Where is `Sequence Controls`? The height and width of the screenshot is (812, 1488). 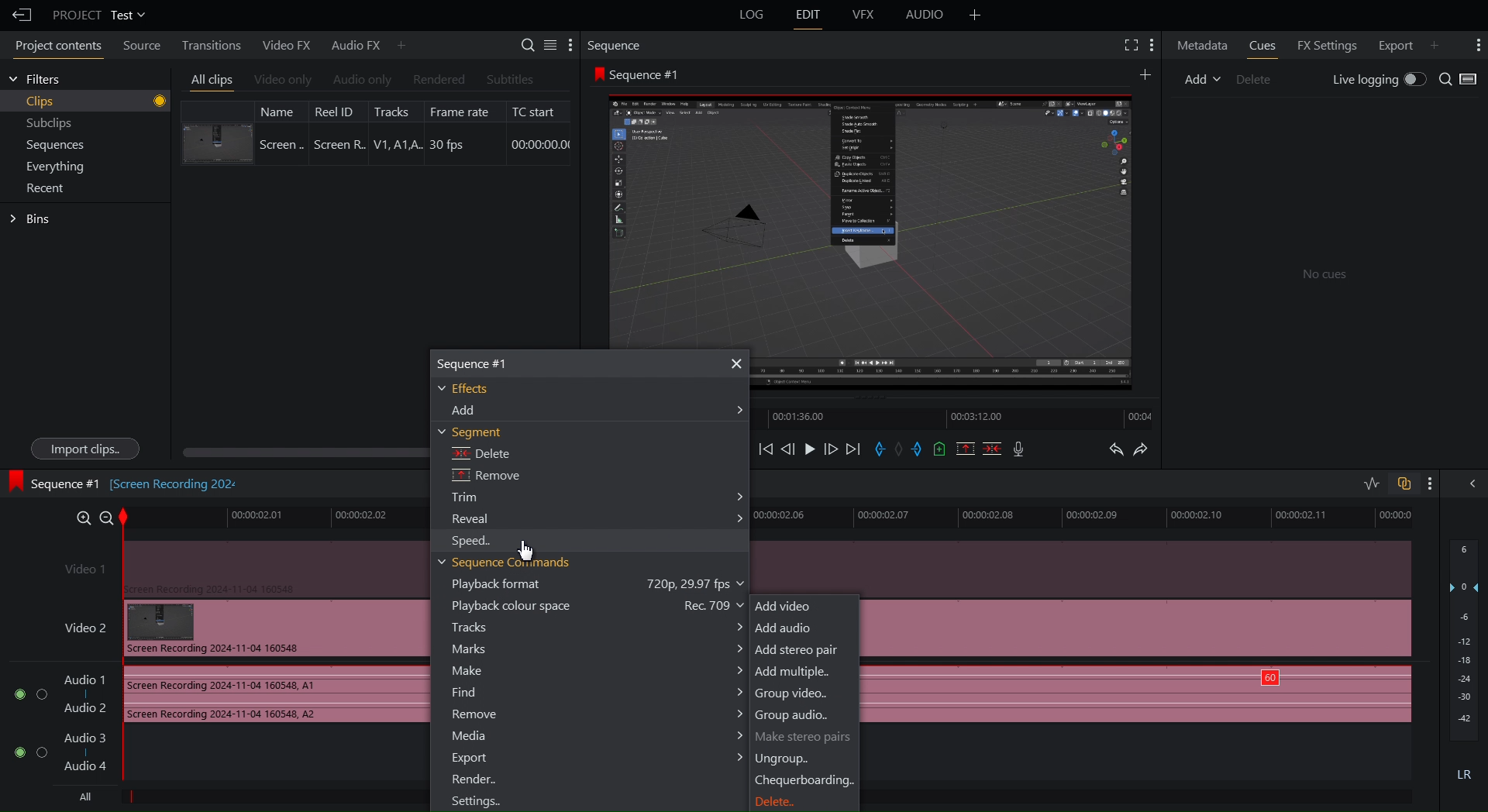 Sequence Controls is located at coordinates (895, 450).